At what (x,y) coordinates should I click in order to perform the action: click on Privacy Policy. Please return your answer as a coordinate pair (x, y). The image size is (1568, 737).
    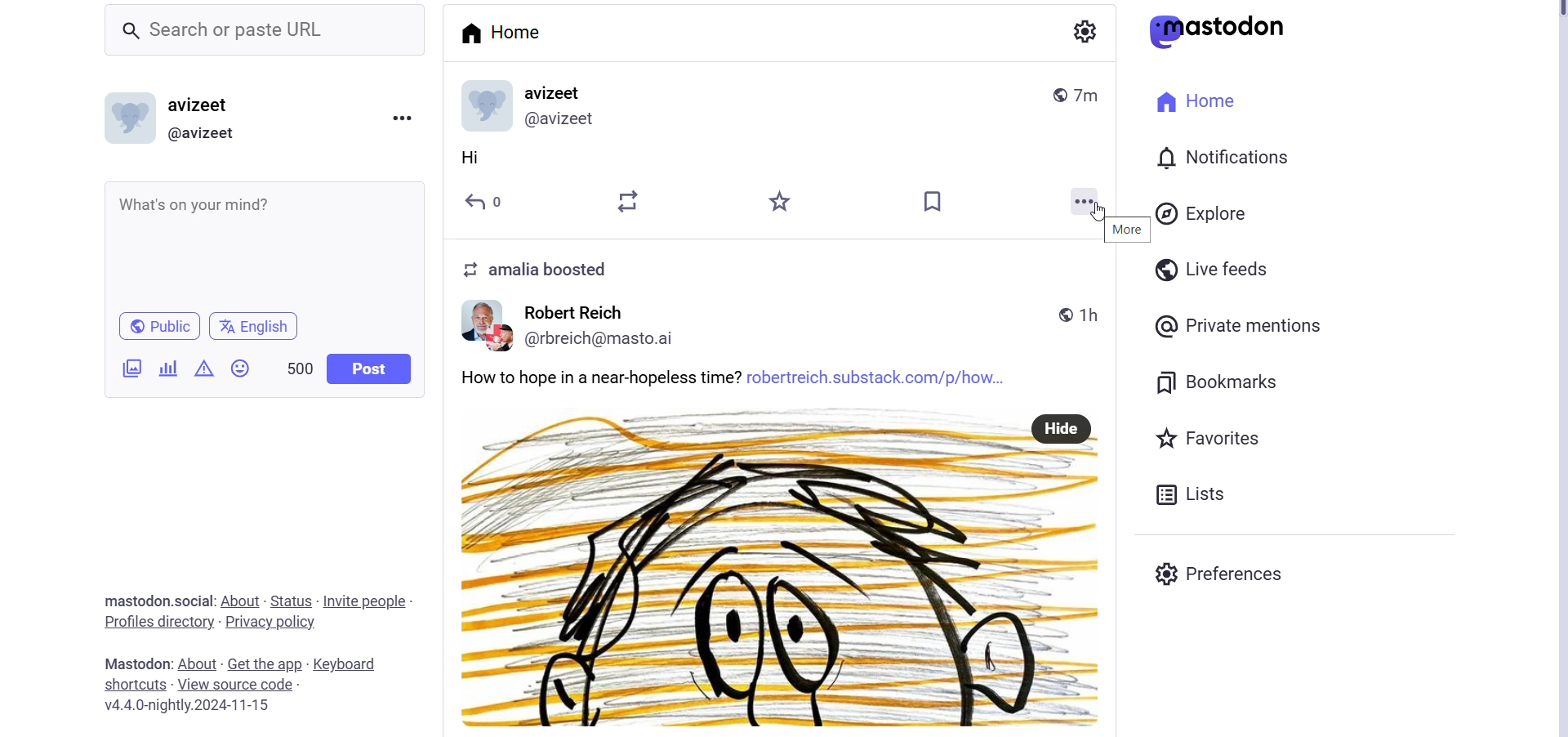
    Looking at the image, I should click on (274, 622).